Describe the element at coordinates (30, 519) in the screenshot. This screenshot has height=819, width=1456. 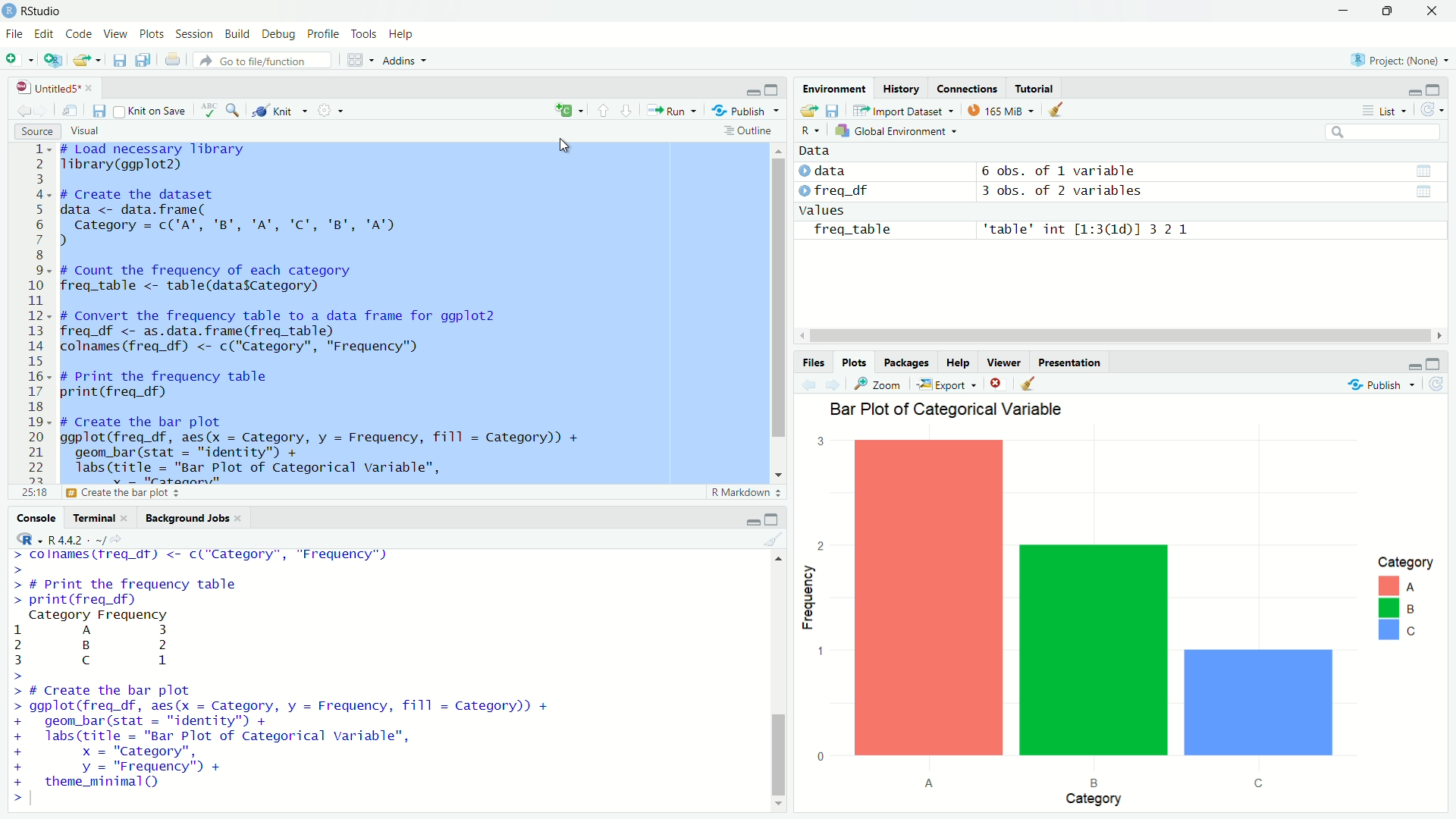
I see `console` at that location.